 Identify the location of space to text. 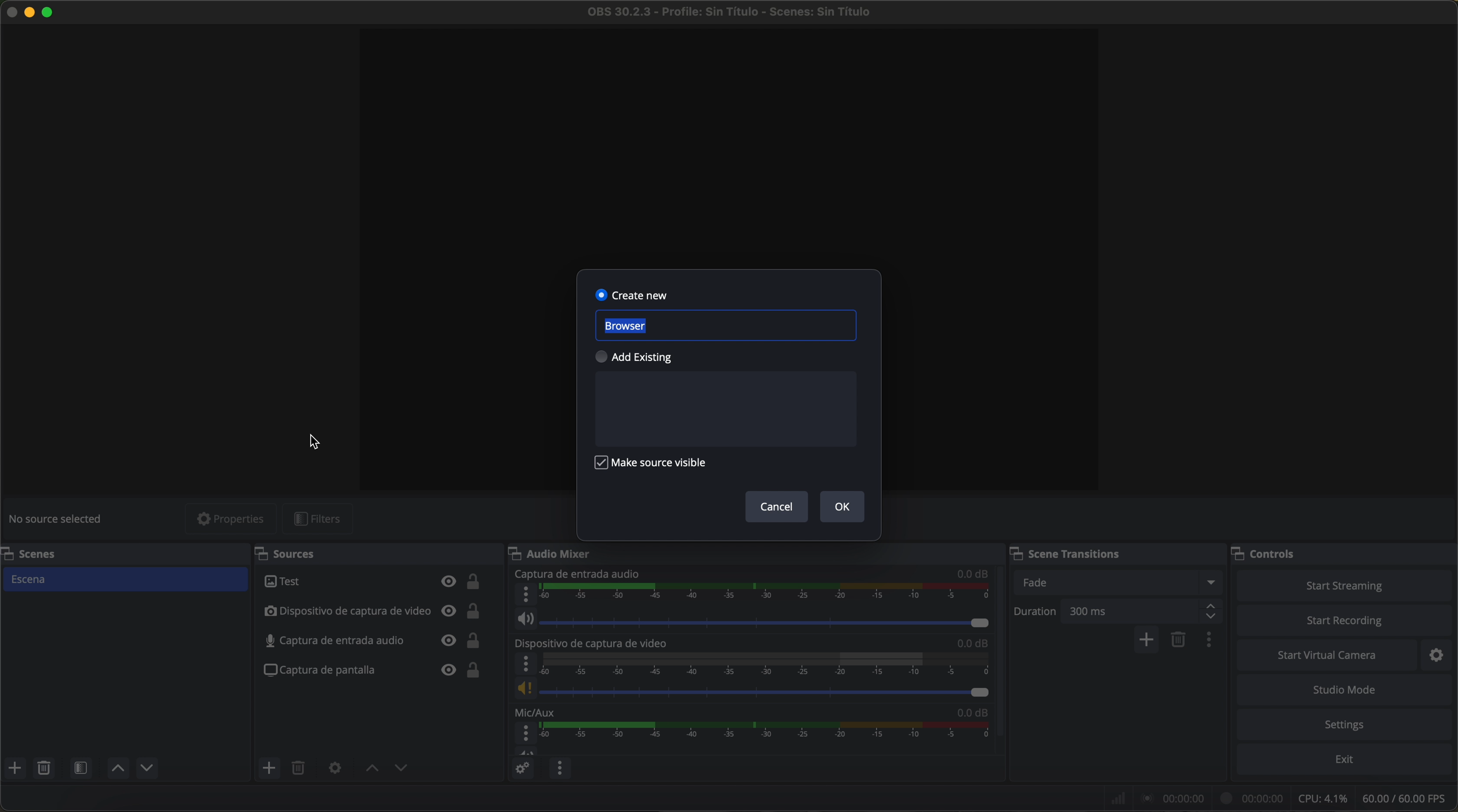
(725, 409).